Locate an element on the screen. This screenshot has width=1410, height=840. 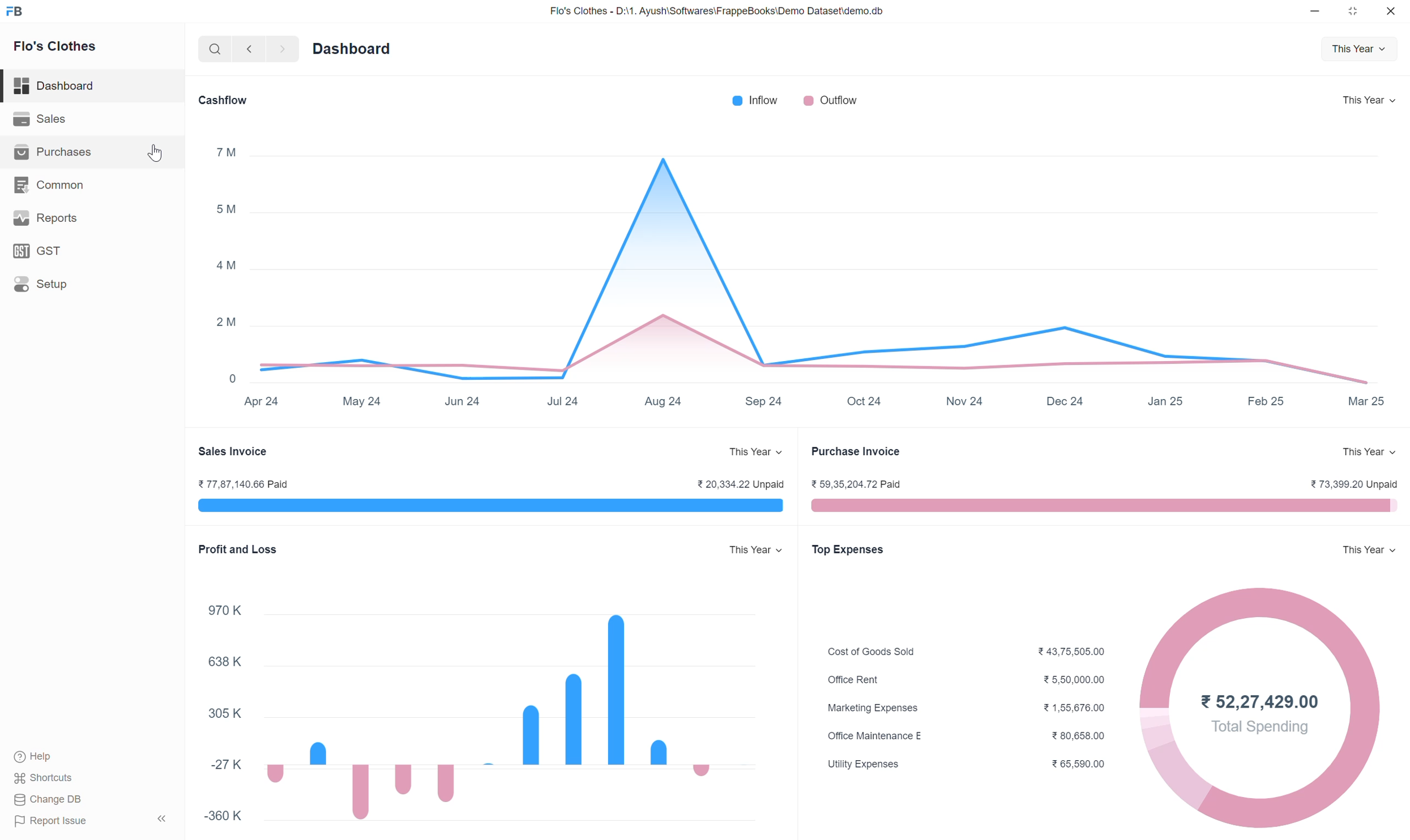
frappe books logo is located at coordinates (17, 11).